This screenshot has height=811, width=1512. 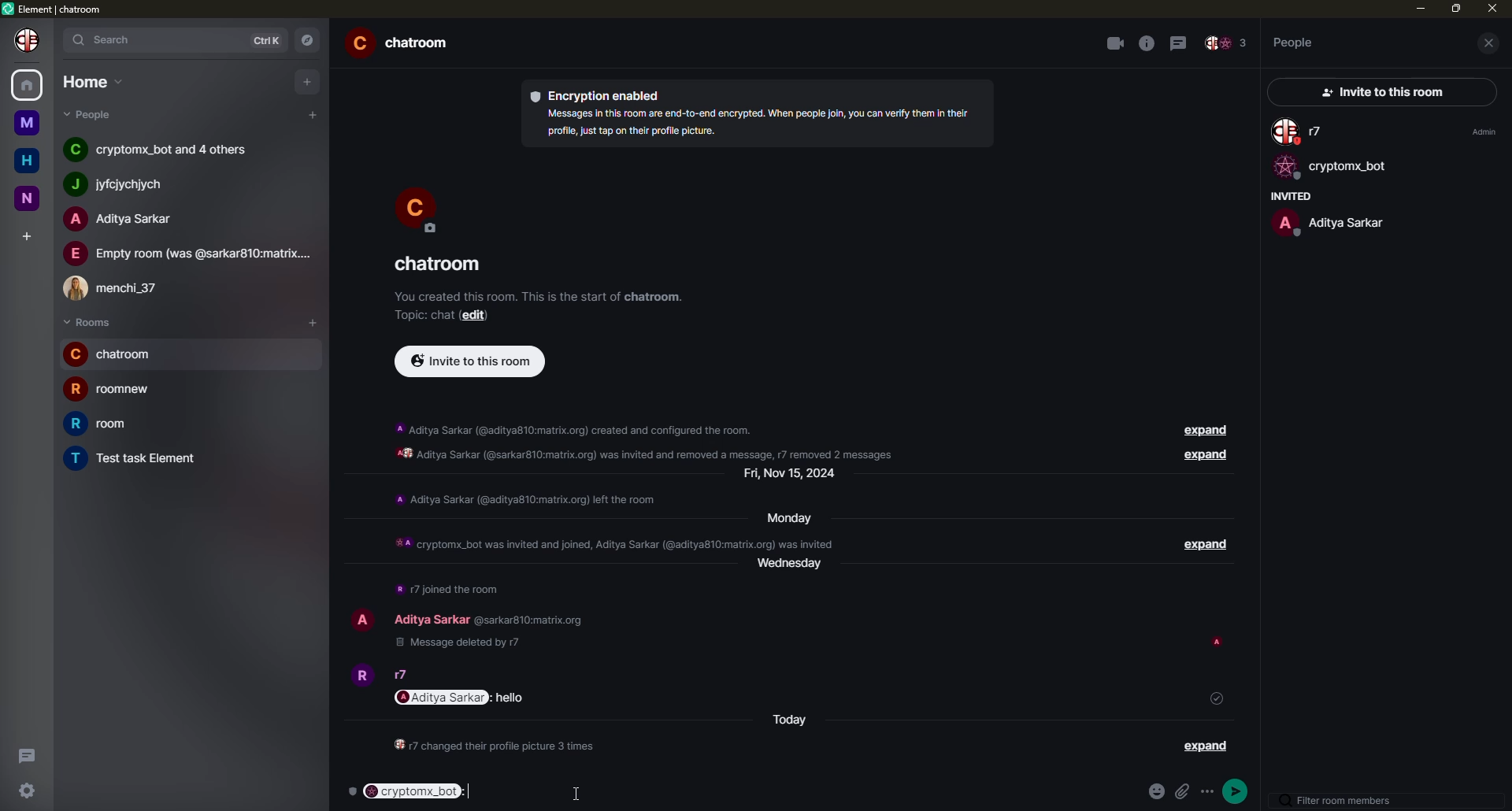 What do you see at coordinates (795, 570) in the screenshot?
I see `day` at bounding box center [795, 570].